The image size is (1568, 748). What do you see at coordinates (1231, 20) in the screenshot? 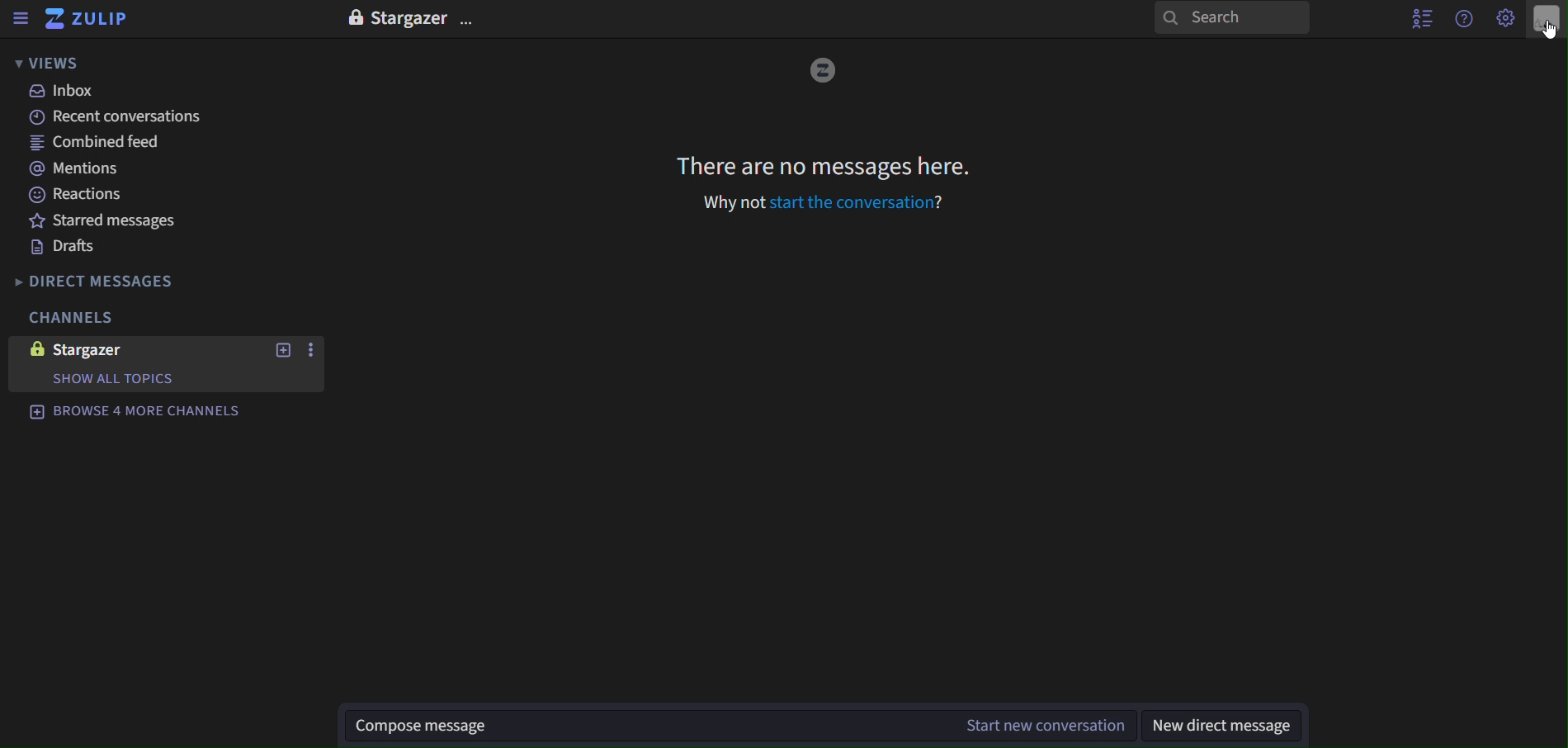
I see `search` at bounding box center [1231, 20].